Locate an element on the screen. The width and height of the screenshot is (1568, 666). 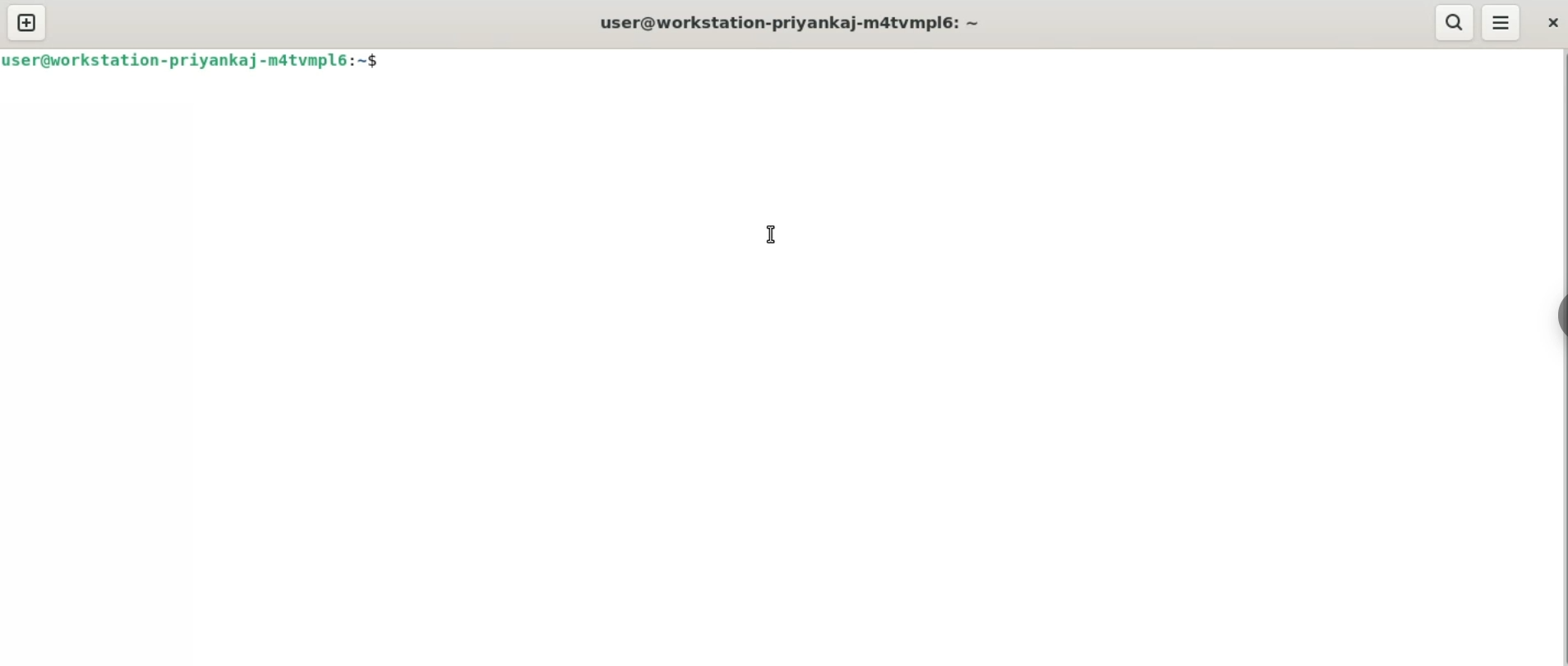
sidebar is located at coordinates (1558, 317).